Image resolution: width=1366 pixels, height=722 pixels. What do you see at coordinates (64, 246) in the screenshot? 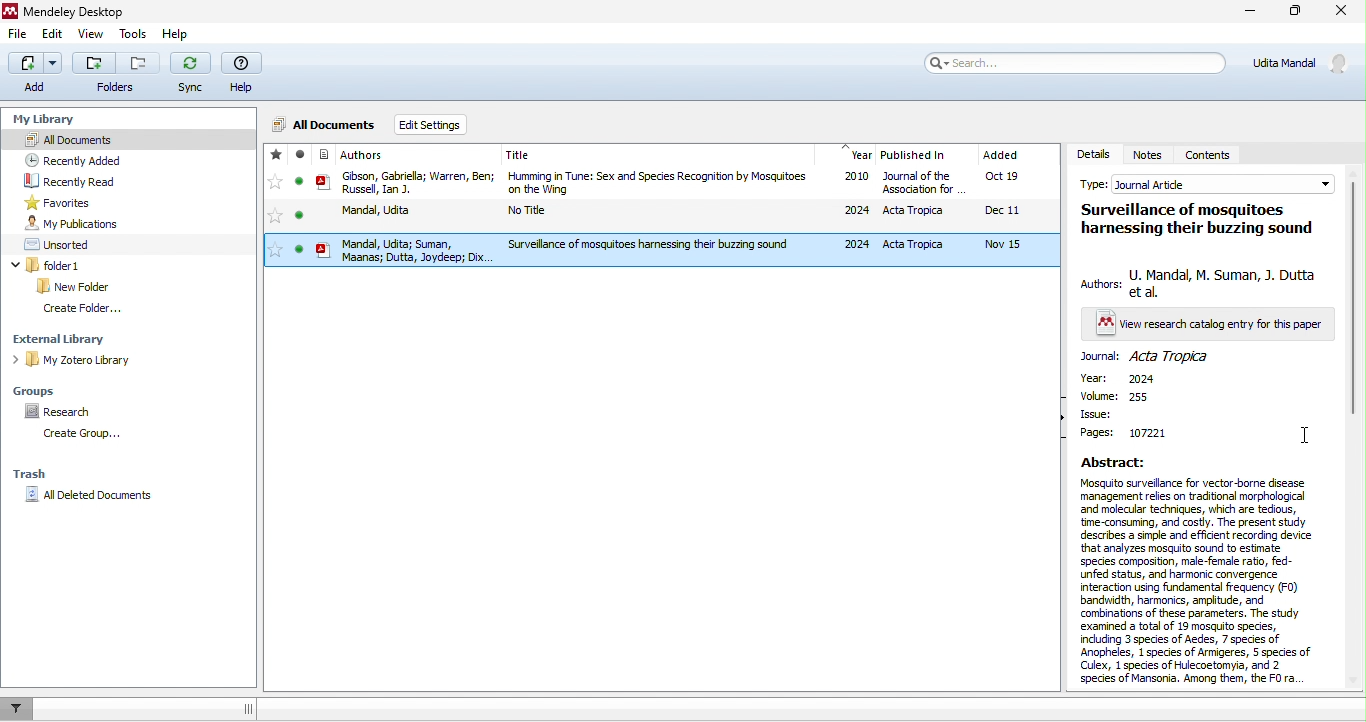
I see `unsorted` at bounding box center [64, 246].